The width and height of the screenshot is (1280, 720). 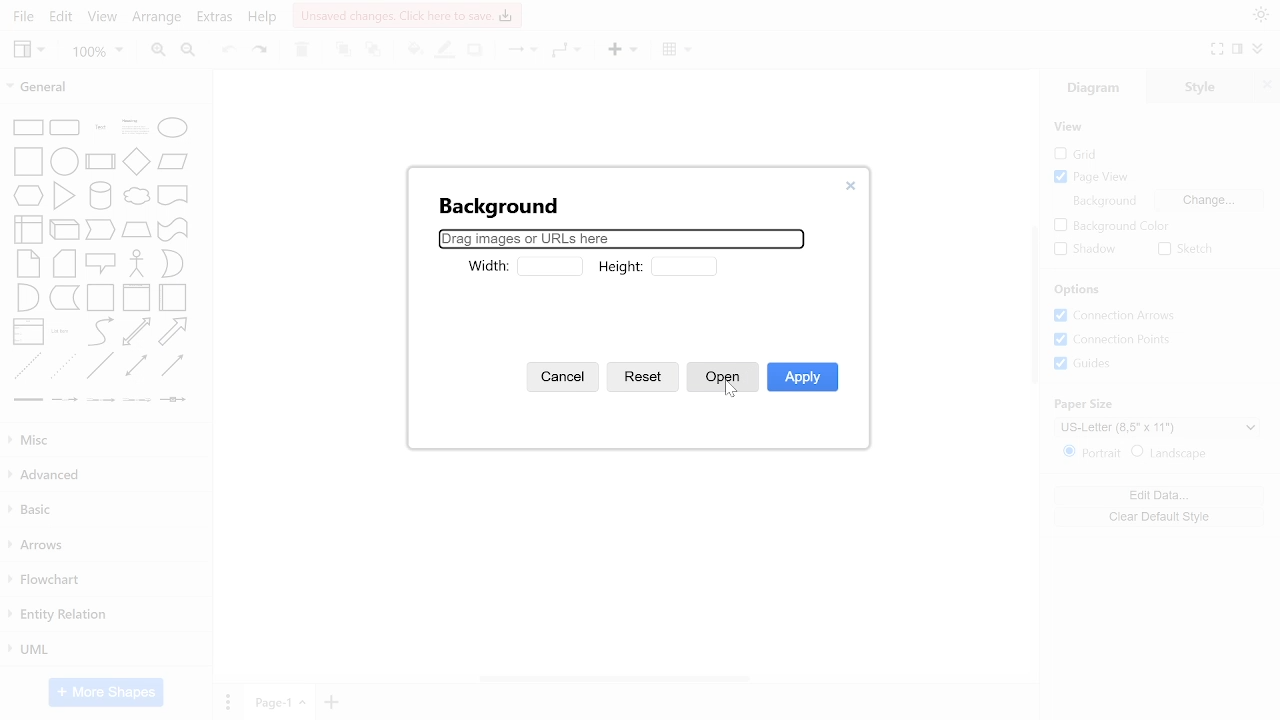 What do you see at coordinates (25, 400) in the screenshot?
I see `general shapes` at bounding box center [25, 400].